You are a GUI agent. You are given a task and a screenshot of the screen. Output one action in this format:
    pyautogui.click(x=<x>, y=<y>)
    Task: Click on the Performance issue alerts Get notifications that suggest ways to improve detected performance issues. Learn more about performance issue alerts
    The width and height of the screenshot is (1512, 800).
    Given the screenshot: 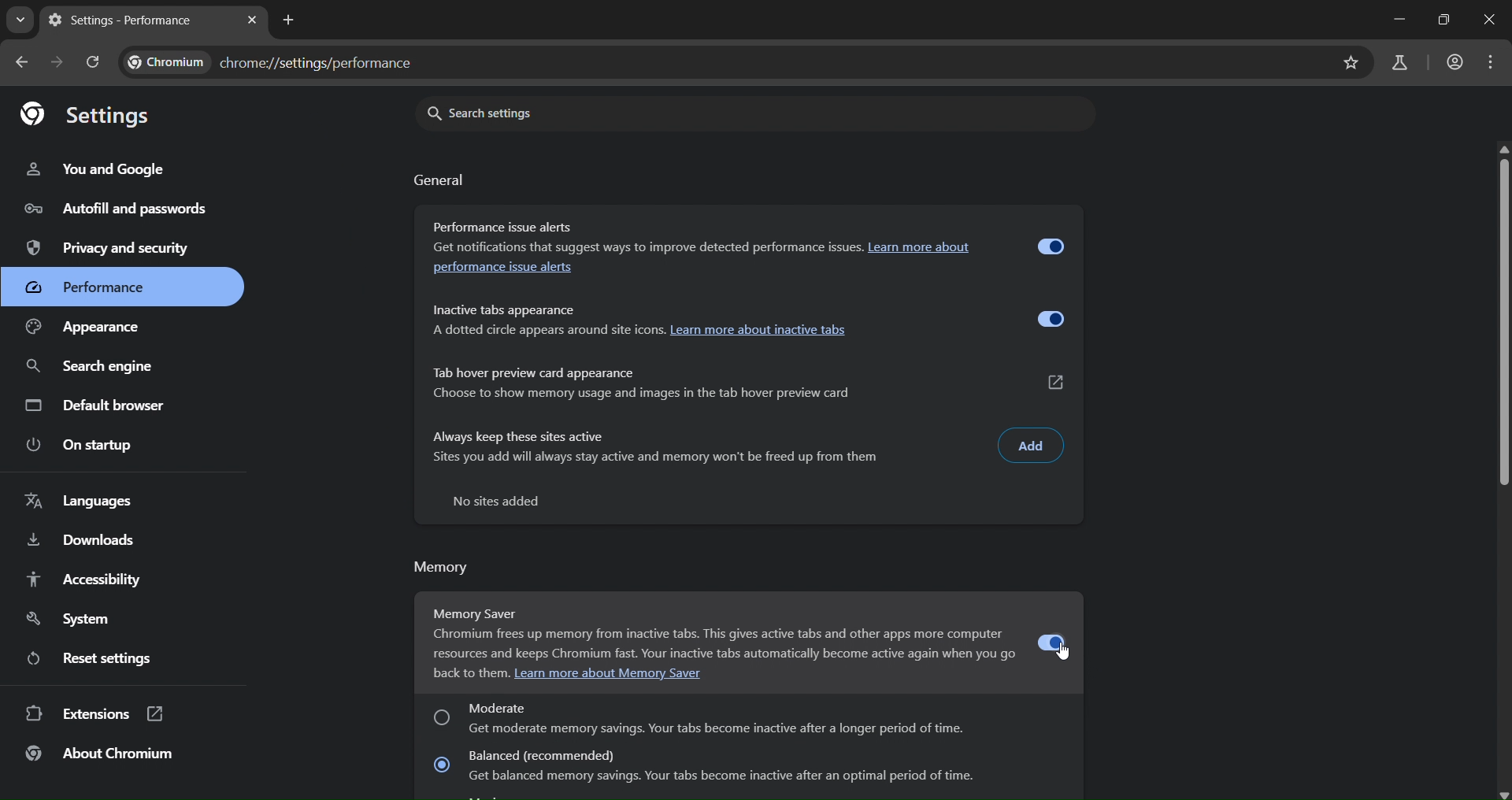 What is the action you would take?
    pyautogui.click(x=714, y=246)
    